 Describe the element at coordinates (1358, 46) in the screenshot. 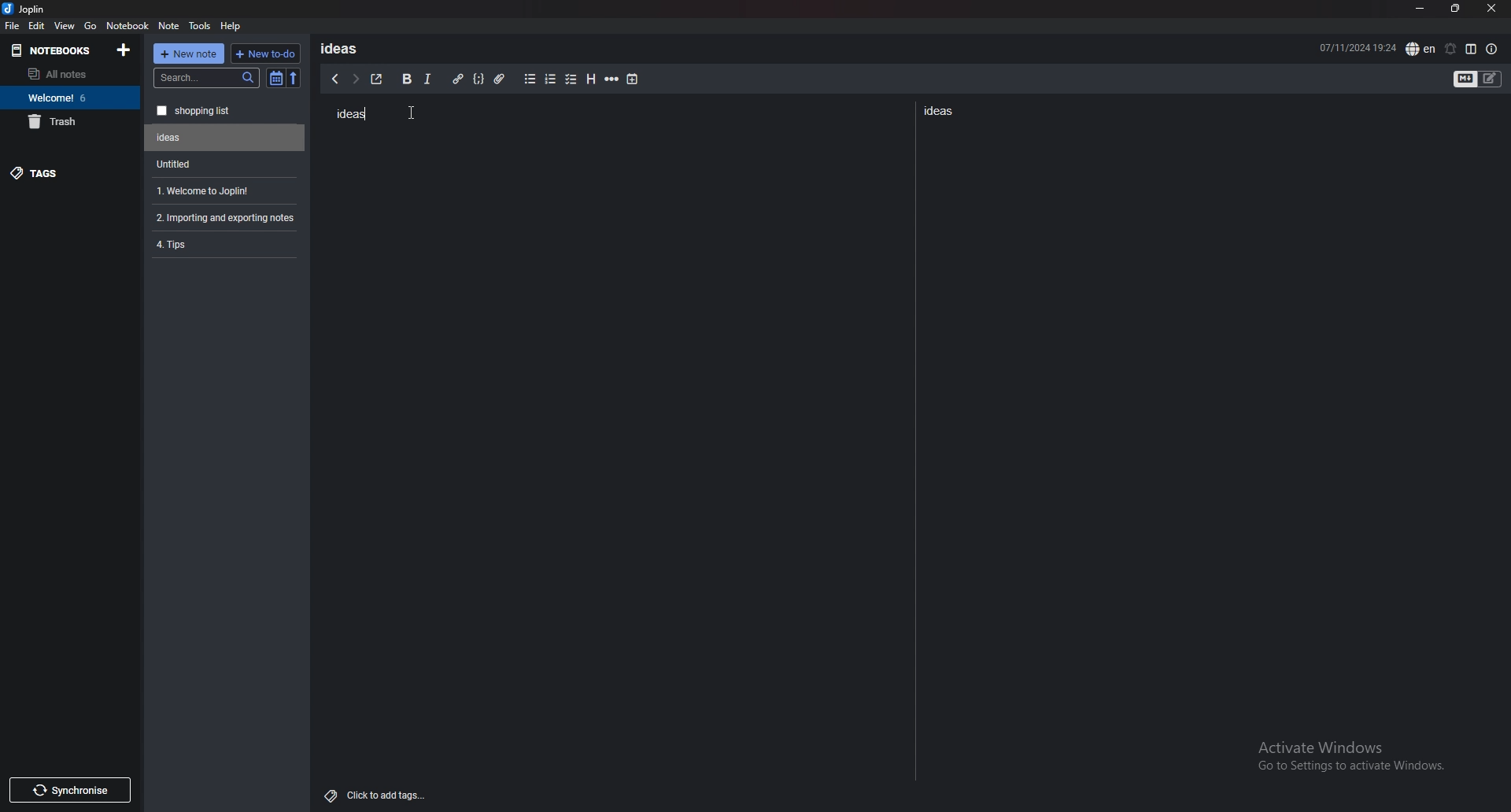

I see `07/11/2024 19:24` at that location.